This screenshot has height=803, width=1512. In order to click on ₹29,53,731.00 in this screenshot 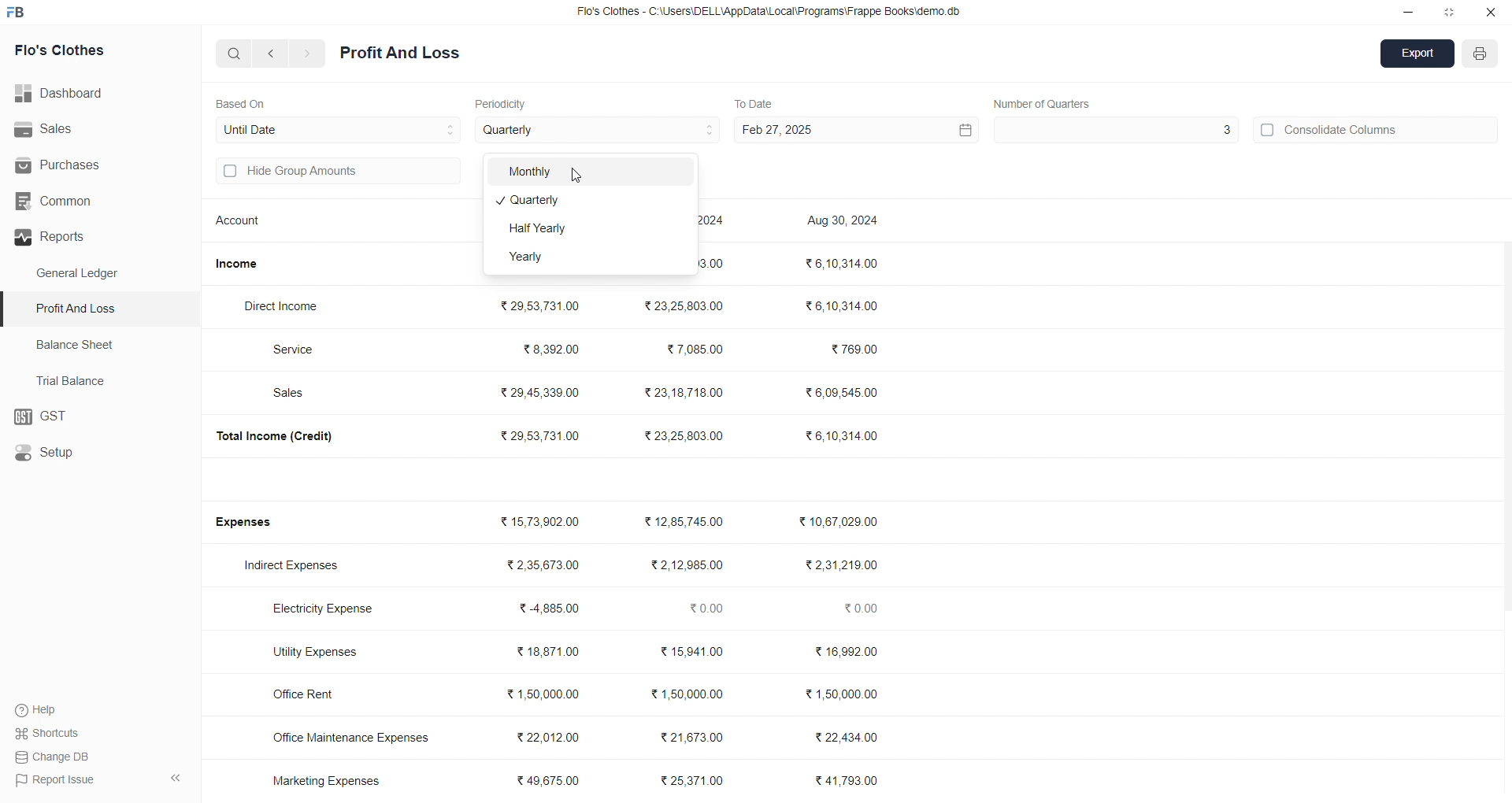, I will do `click(540, 435)`.